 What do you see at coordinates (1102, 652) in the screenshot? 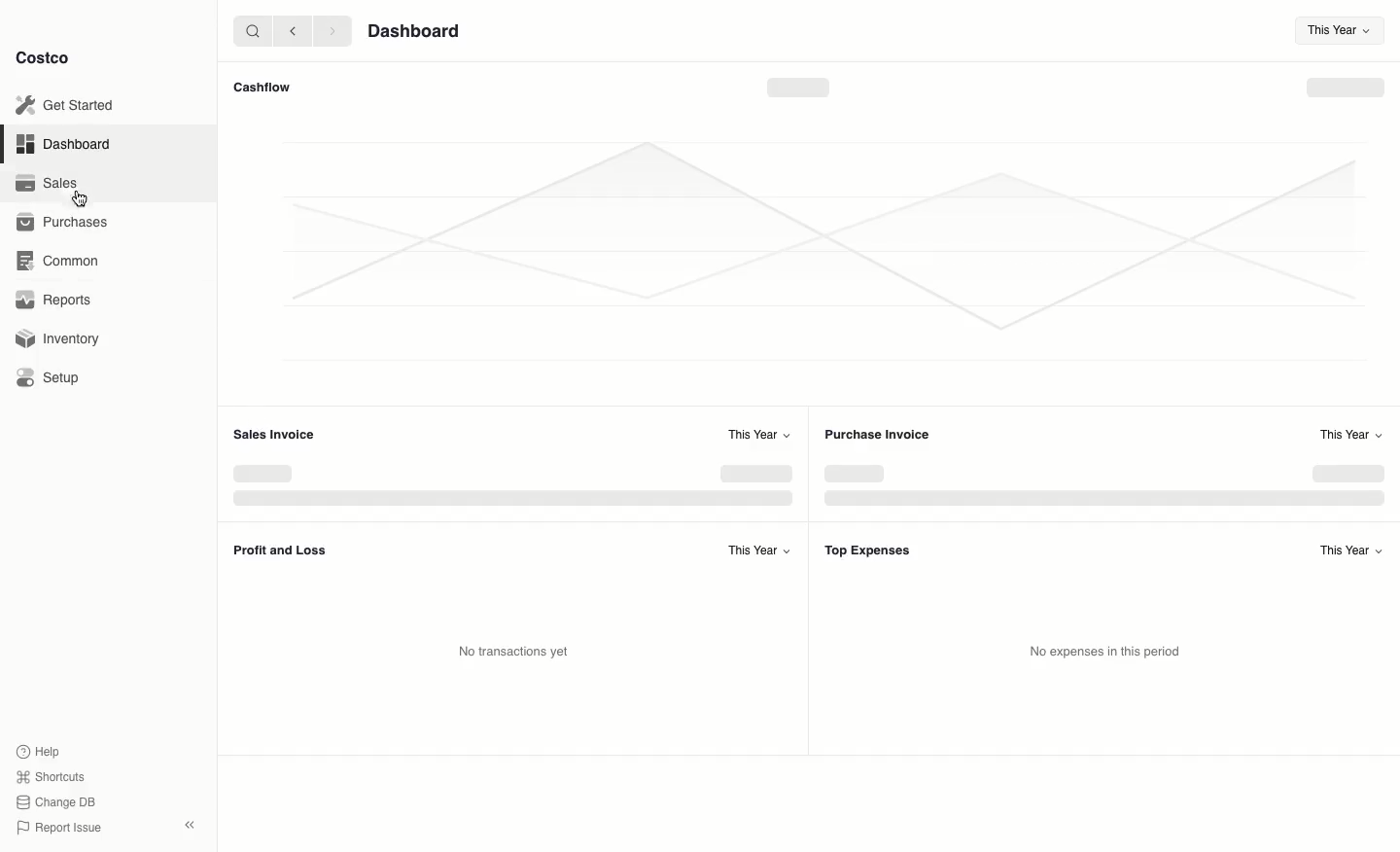
I see `No expenses in this period` at bounding box center [1102, 652].